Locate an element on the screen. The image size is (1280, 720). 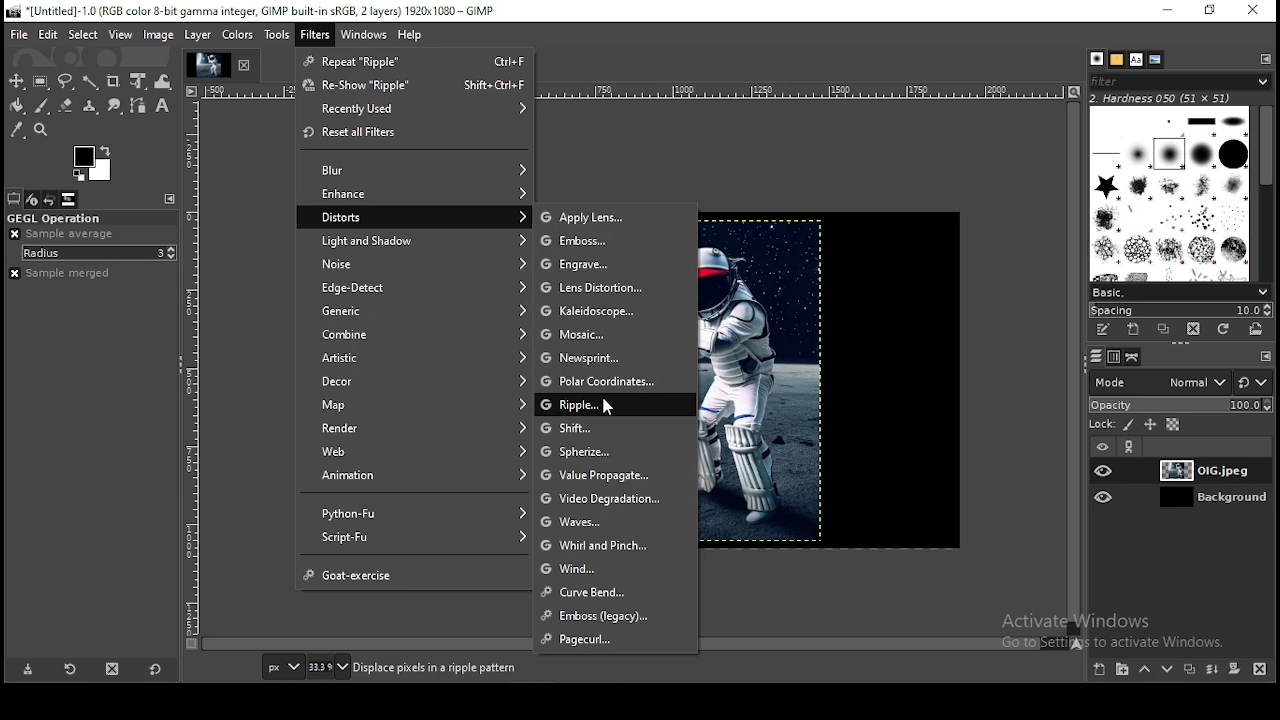
bucket fill tool is located at coordinates (17, 107).